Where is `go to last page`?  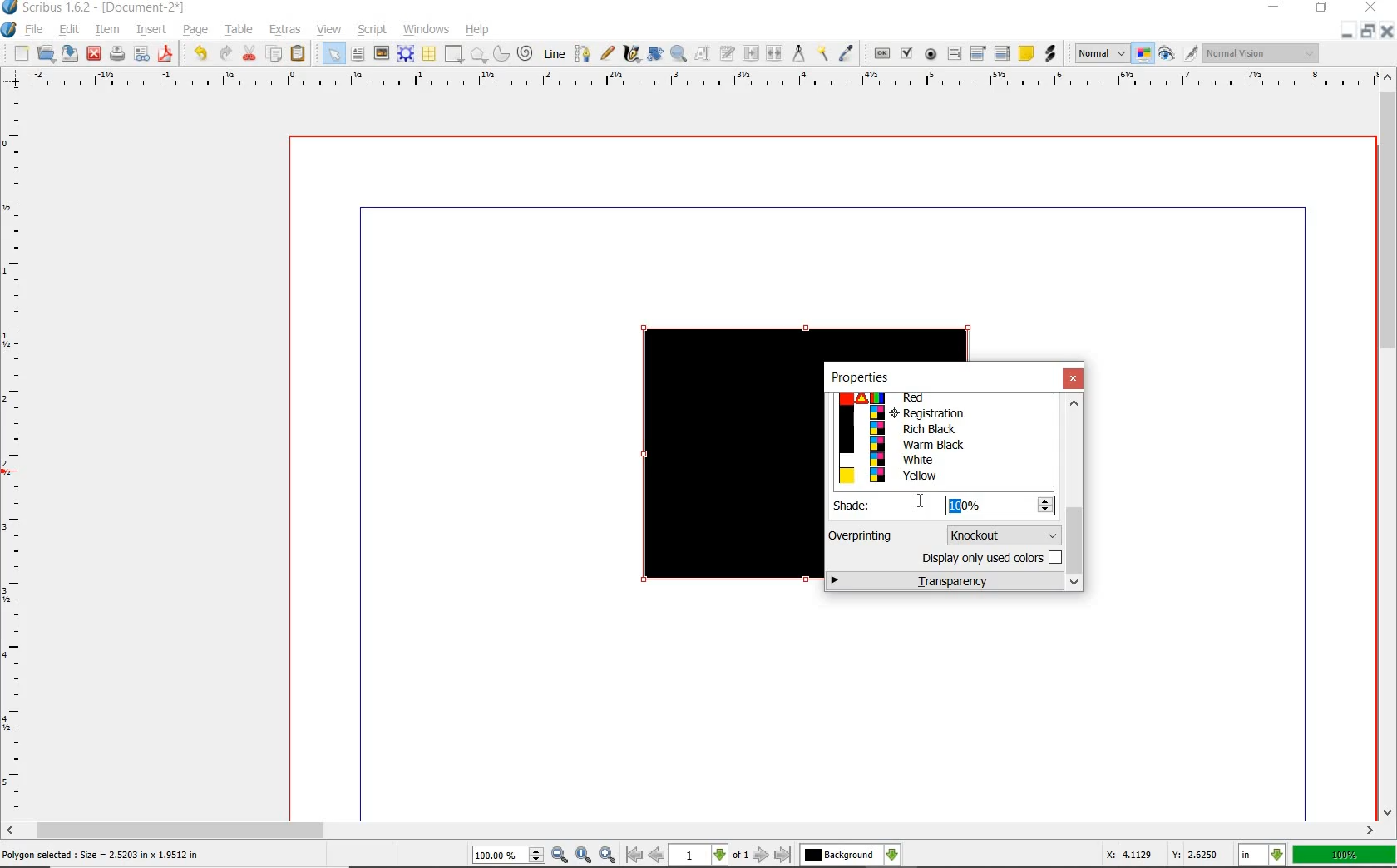
go to last page is located at coordinates (783, 854).